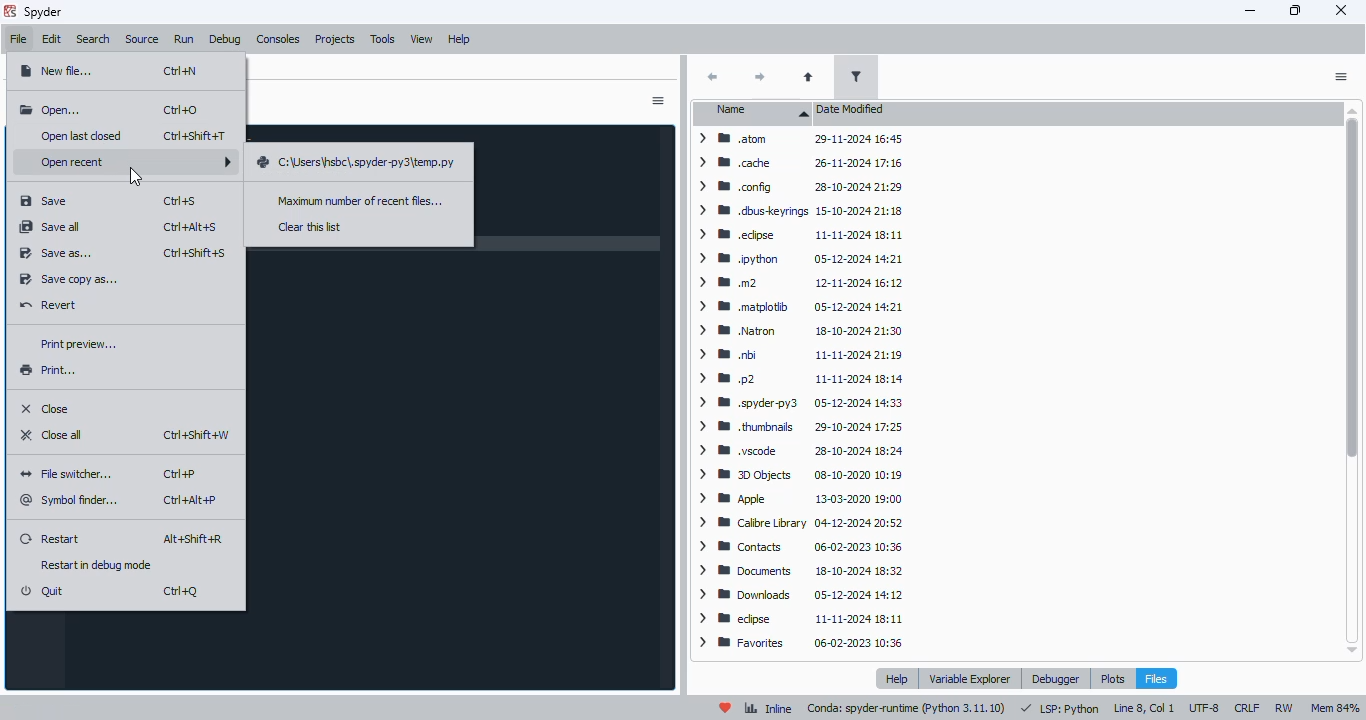 The height and width of the screenshot is (720, 1366). I want to click on conda: spyder-runtime (pyton 3. 11. 10), so click(906, 710).